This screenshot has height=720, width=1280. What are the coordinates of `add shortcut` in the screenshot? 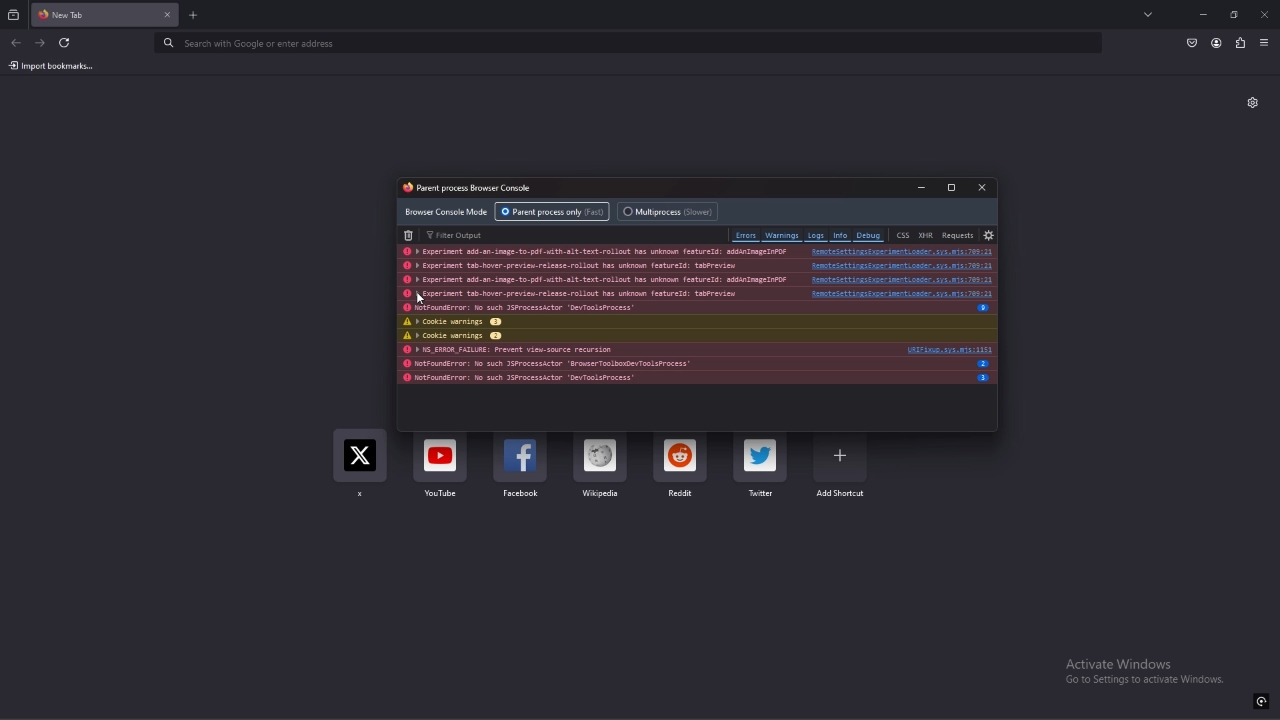 It's located at (842, 466).